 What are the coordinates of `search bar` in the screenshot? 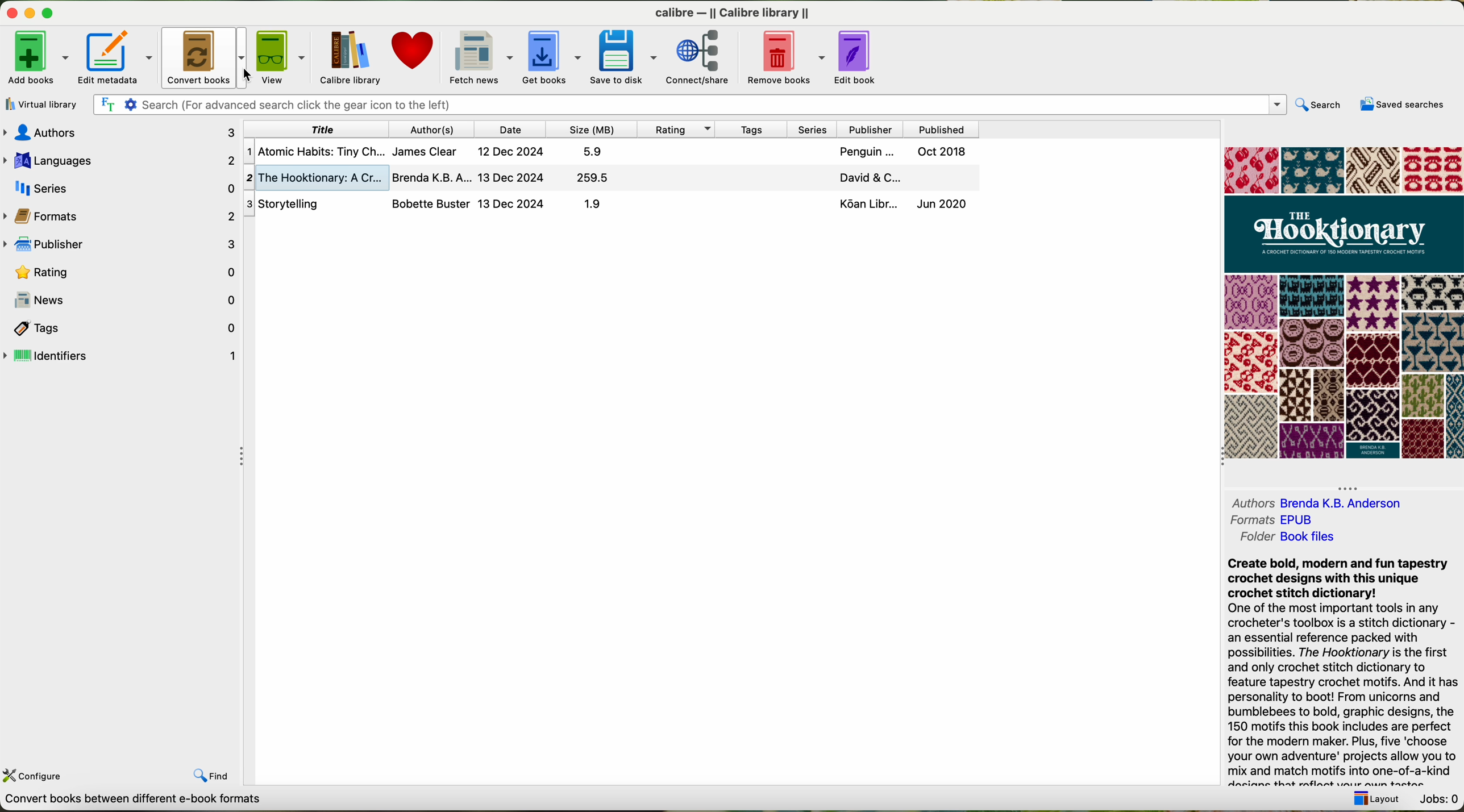 It's located at (691, 105).